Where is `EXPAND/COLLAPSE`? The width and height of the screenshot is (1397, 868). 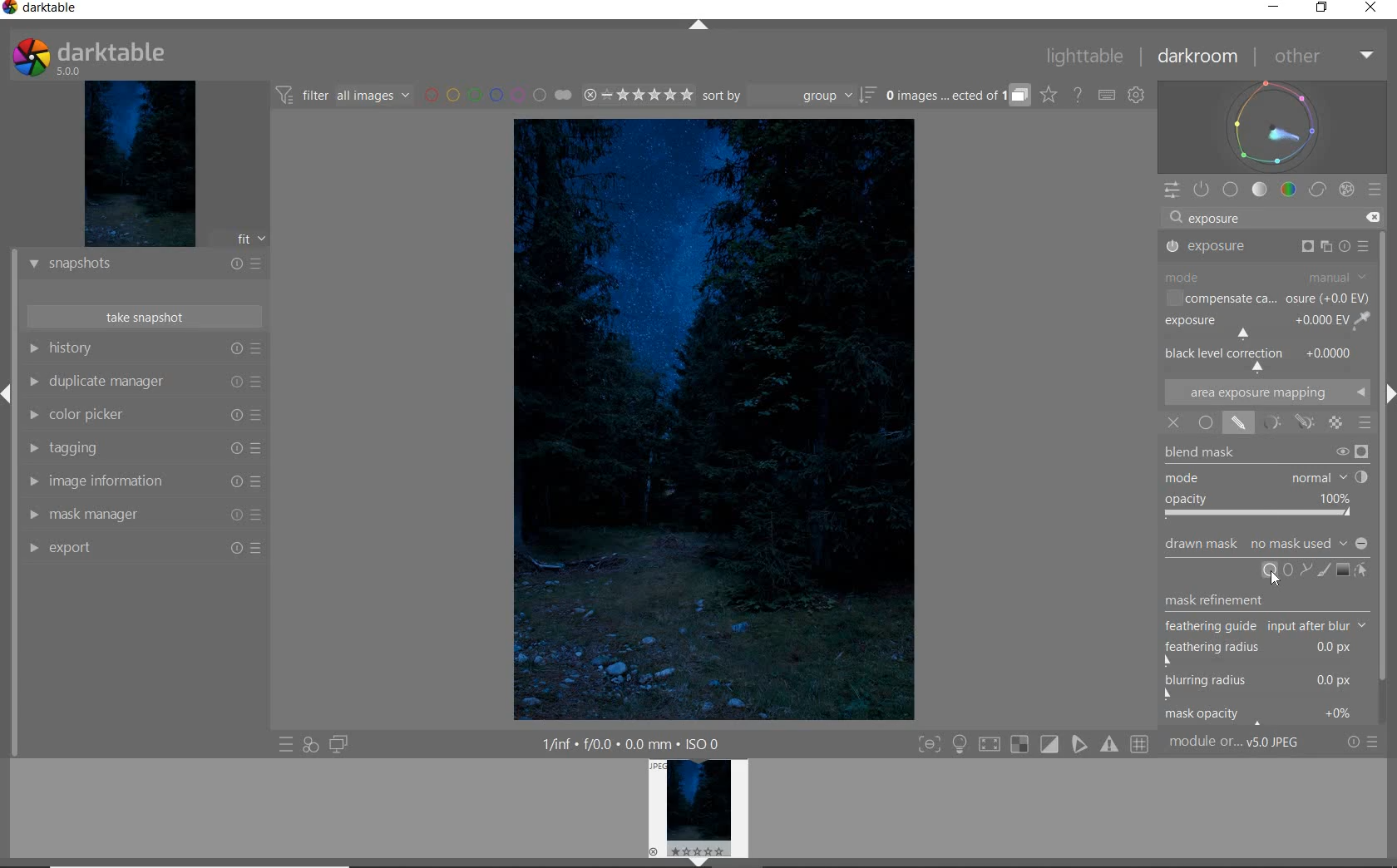
EXPAND/COLLAPSE is located at coordinates (699, 26).